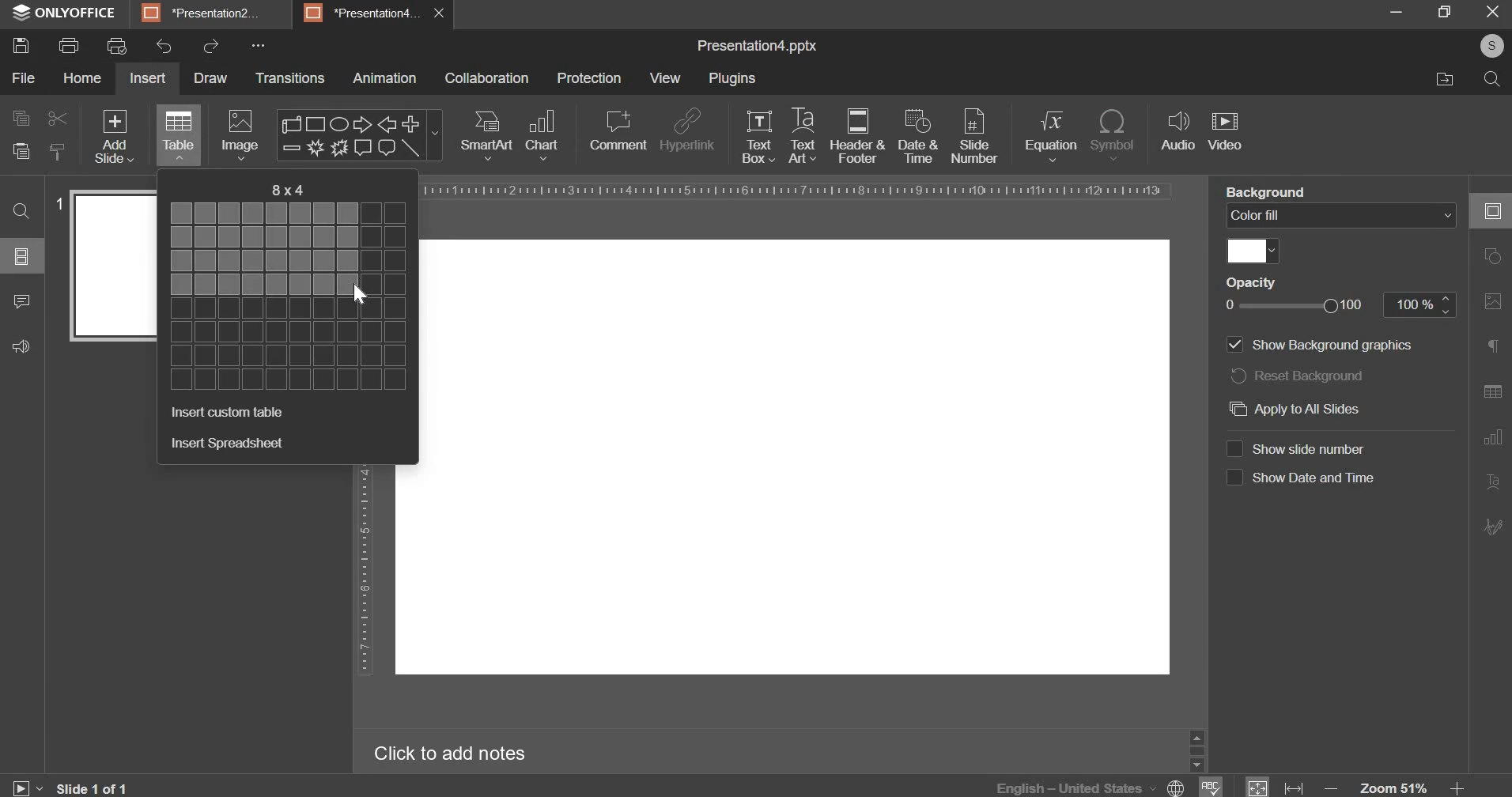 Image resolution: width=1512 pixels, height=797 pixels. Describe the element at coordinates (360, 295) in the screenshot. I see `cursor` at that location.